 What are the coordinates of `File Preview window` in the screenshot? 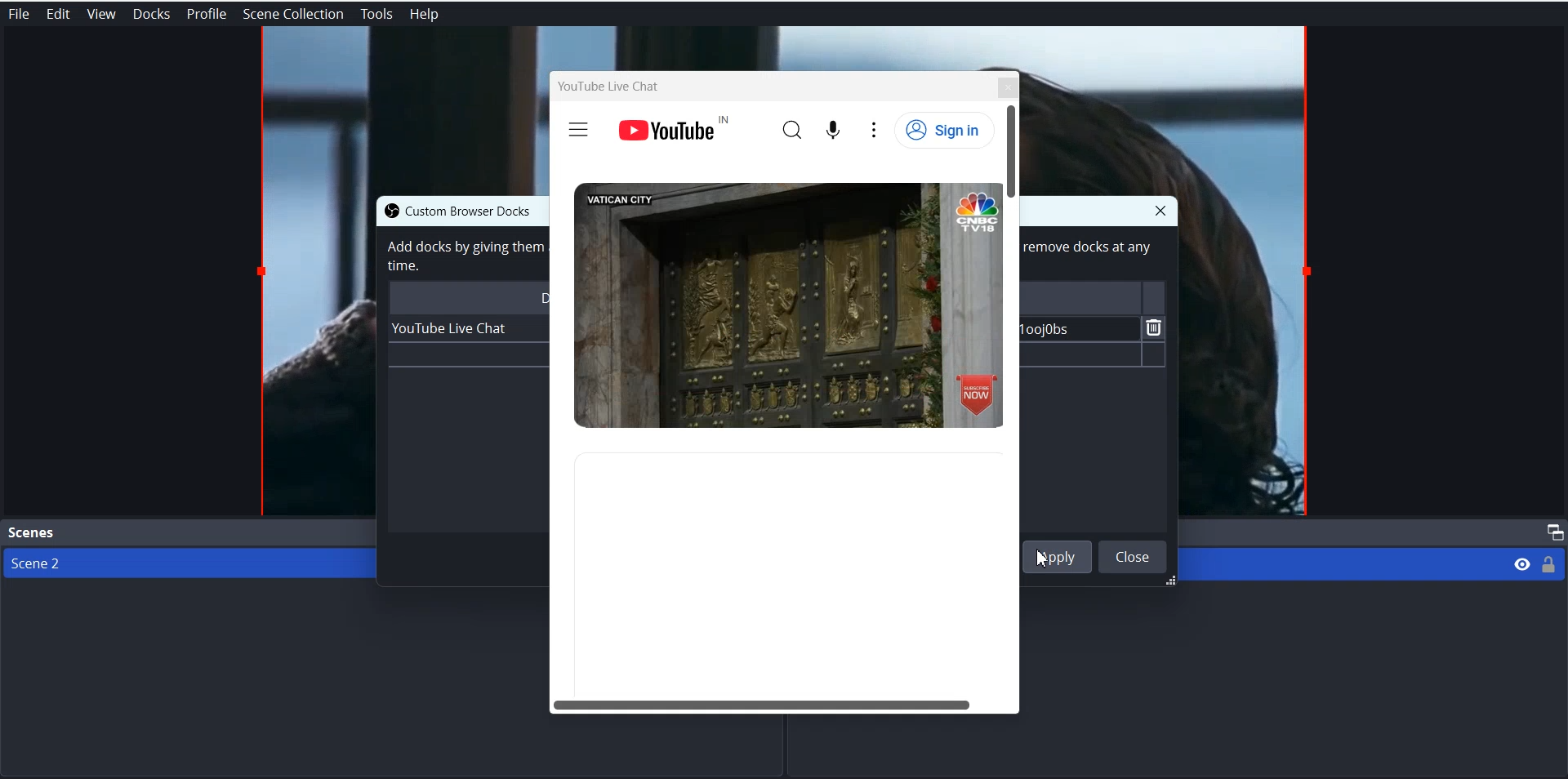 It's located at (1249, 358).